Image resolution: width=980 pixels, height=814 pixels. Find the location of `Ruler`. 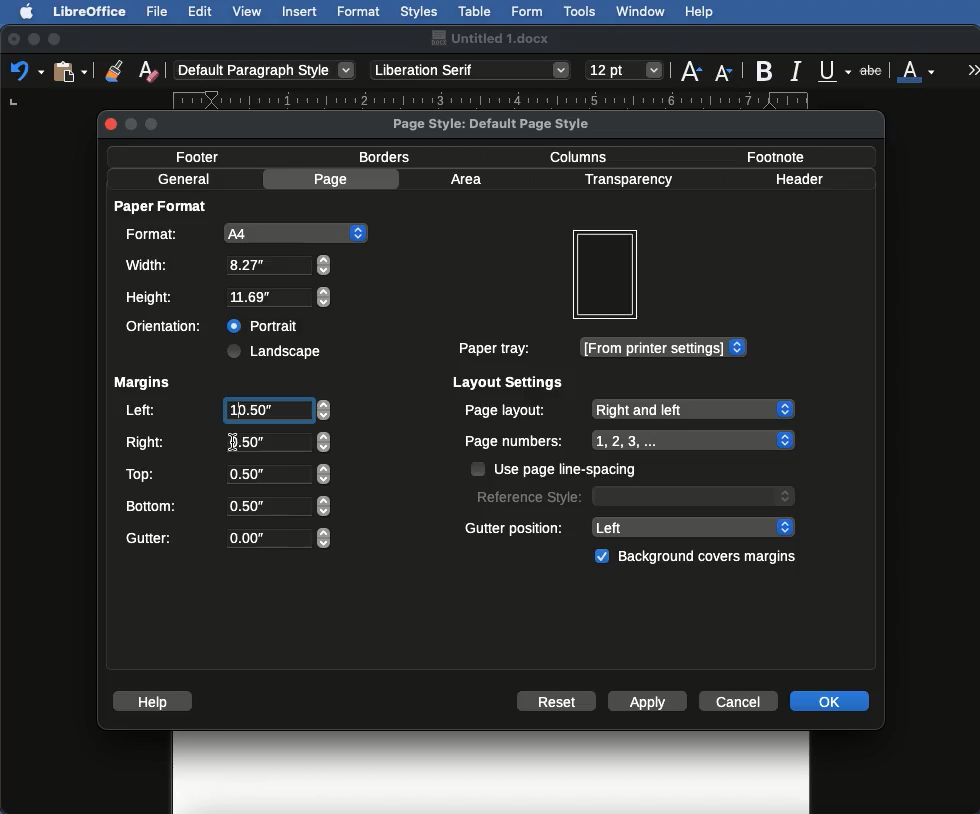

Ruler is located at coordinates (509, 101).